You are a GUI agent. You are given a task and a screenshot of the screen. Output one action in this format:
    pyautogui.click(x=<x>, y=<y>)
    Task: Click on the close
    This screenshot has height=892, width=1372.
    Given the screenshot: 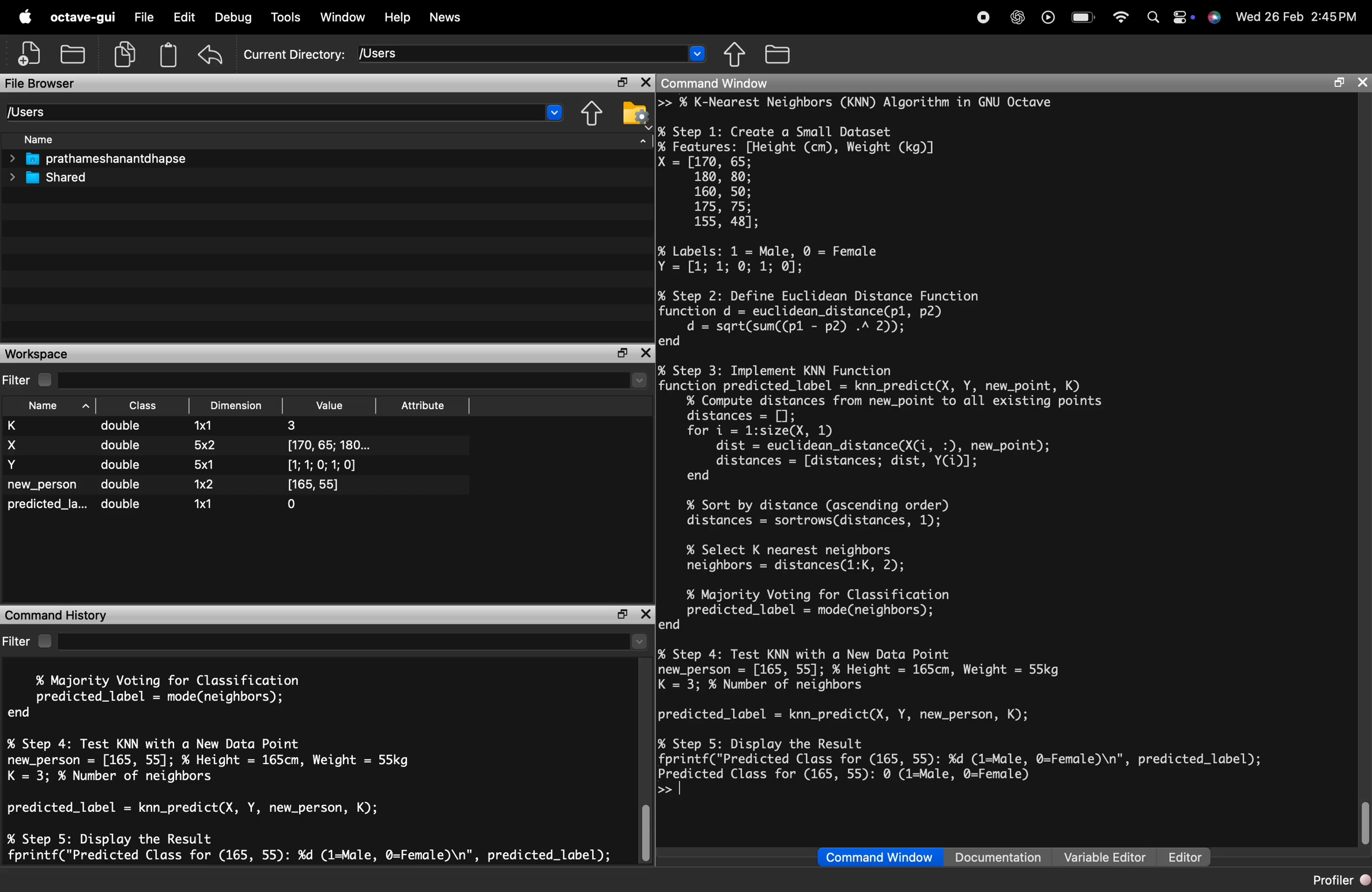 What is the action you would take?
    pyautogui.click(x=648, y=613)
    